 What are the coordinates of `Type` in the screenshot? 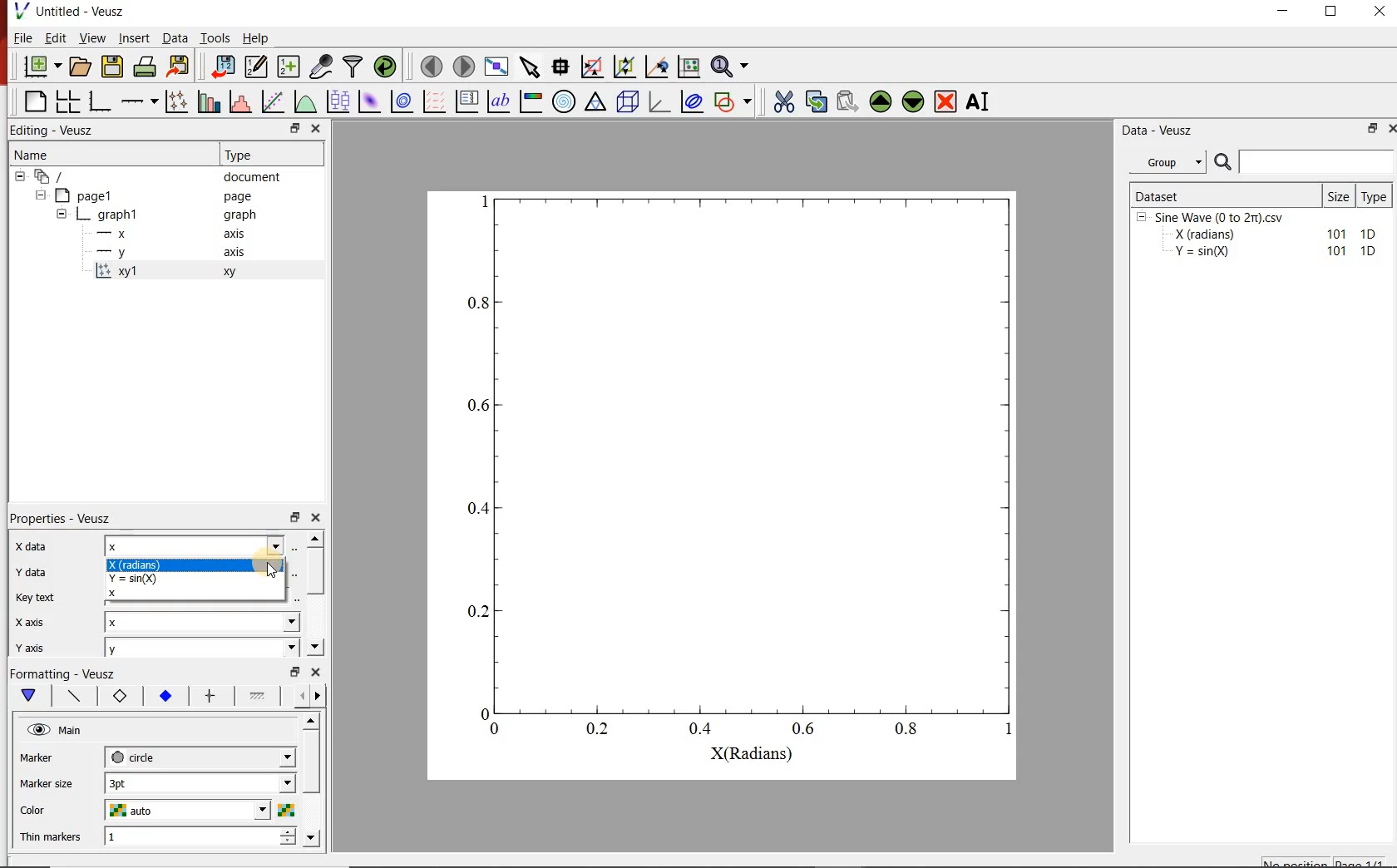 It's located at (1377, 195).